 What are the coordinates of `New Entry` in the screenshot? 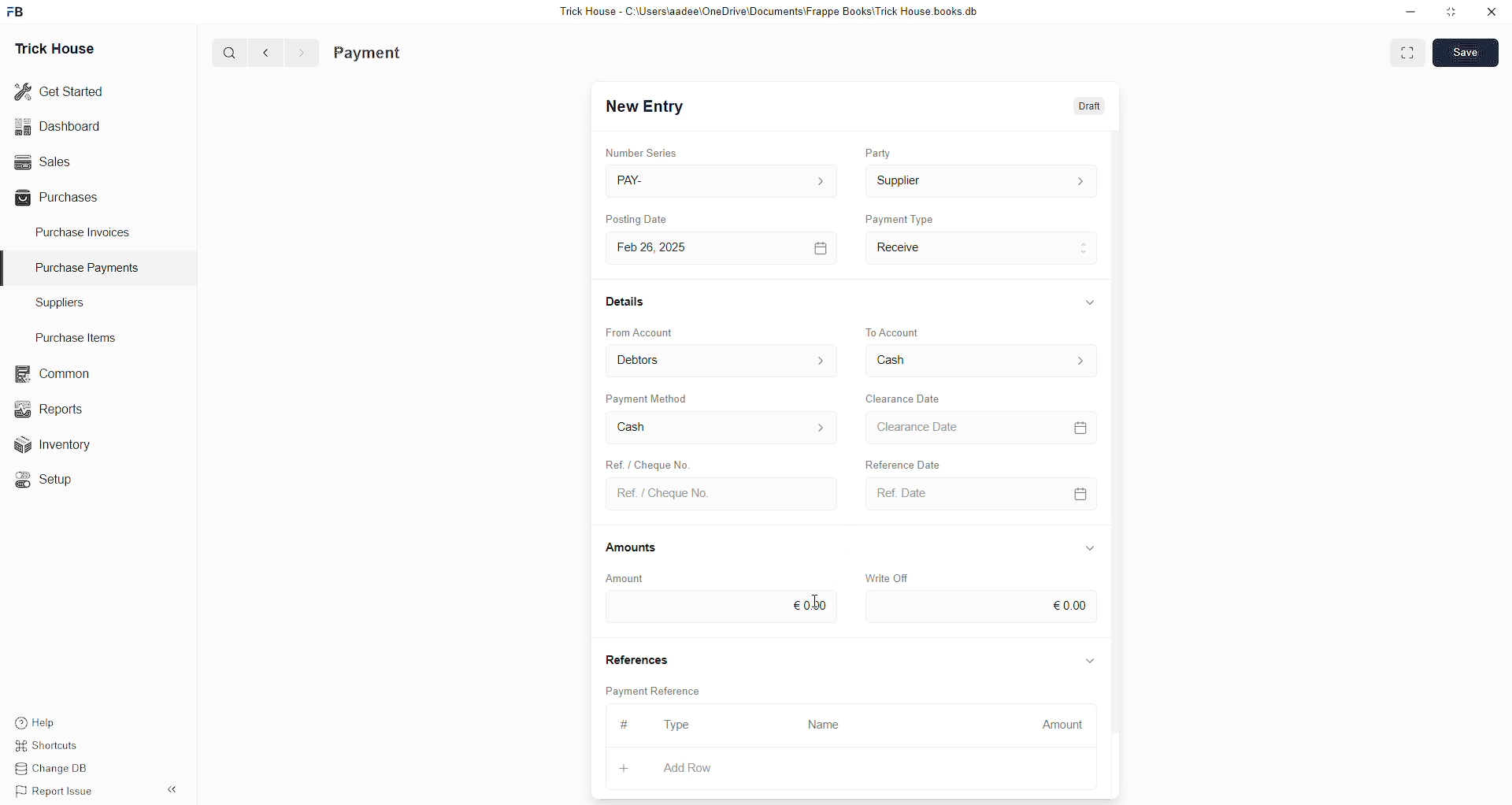 It's located at (645, 108).